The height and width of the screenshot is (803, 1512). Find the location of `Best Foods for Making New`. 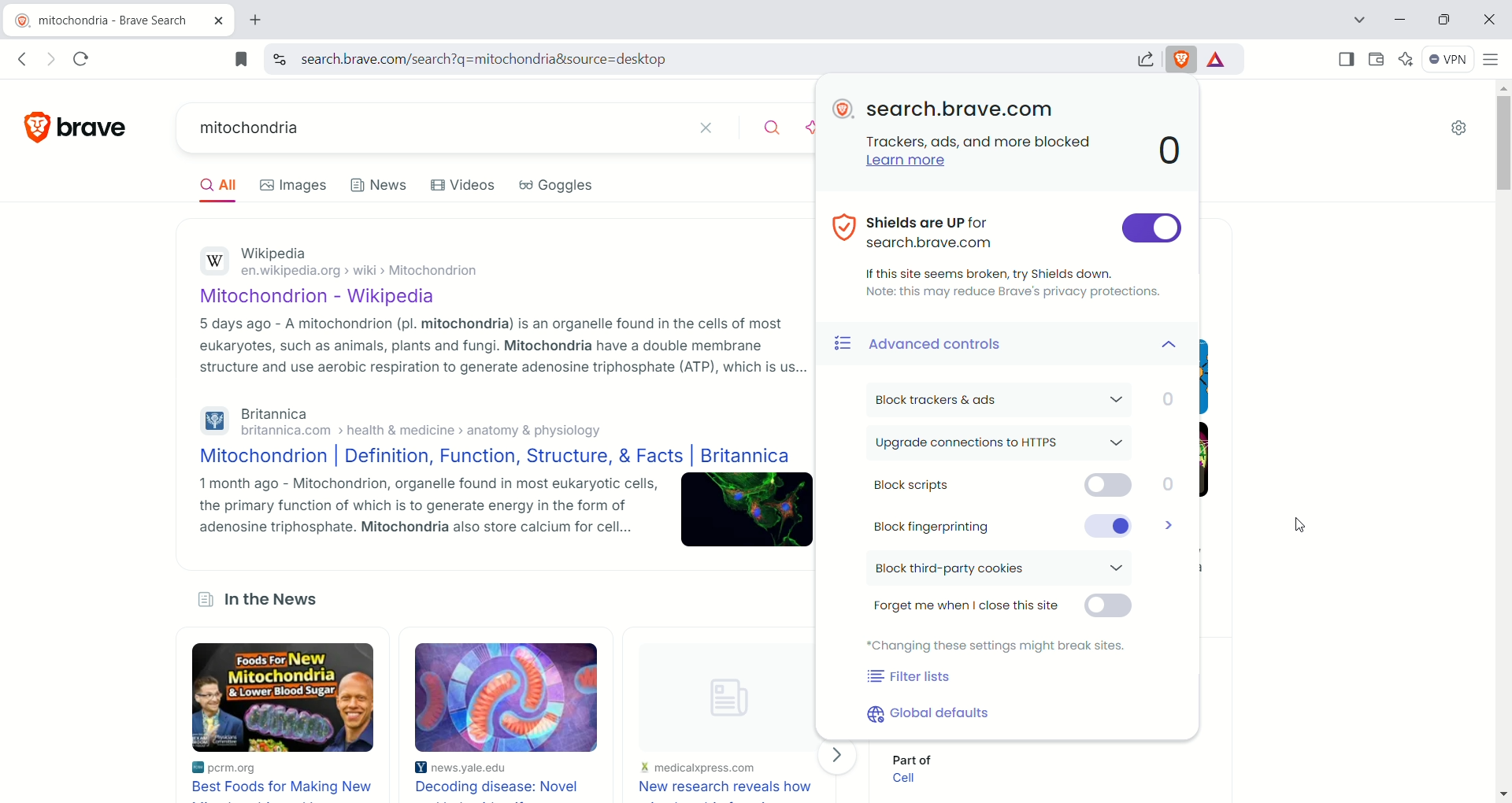

Best Foods for Making New is located at coordinates (284, 788).